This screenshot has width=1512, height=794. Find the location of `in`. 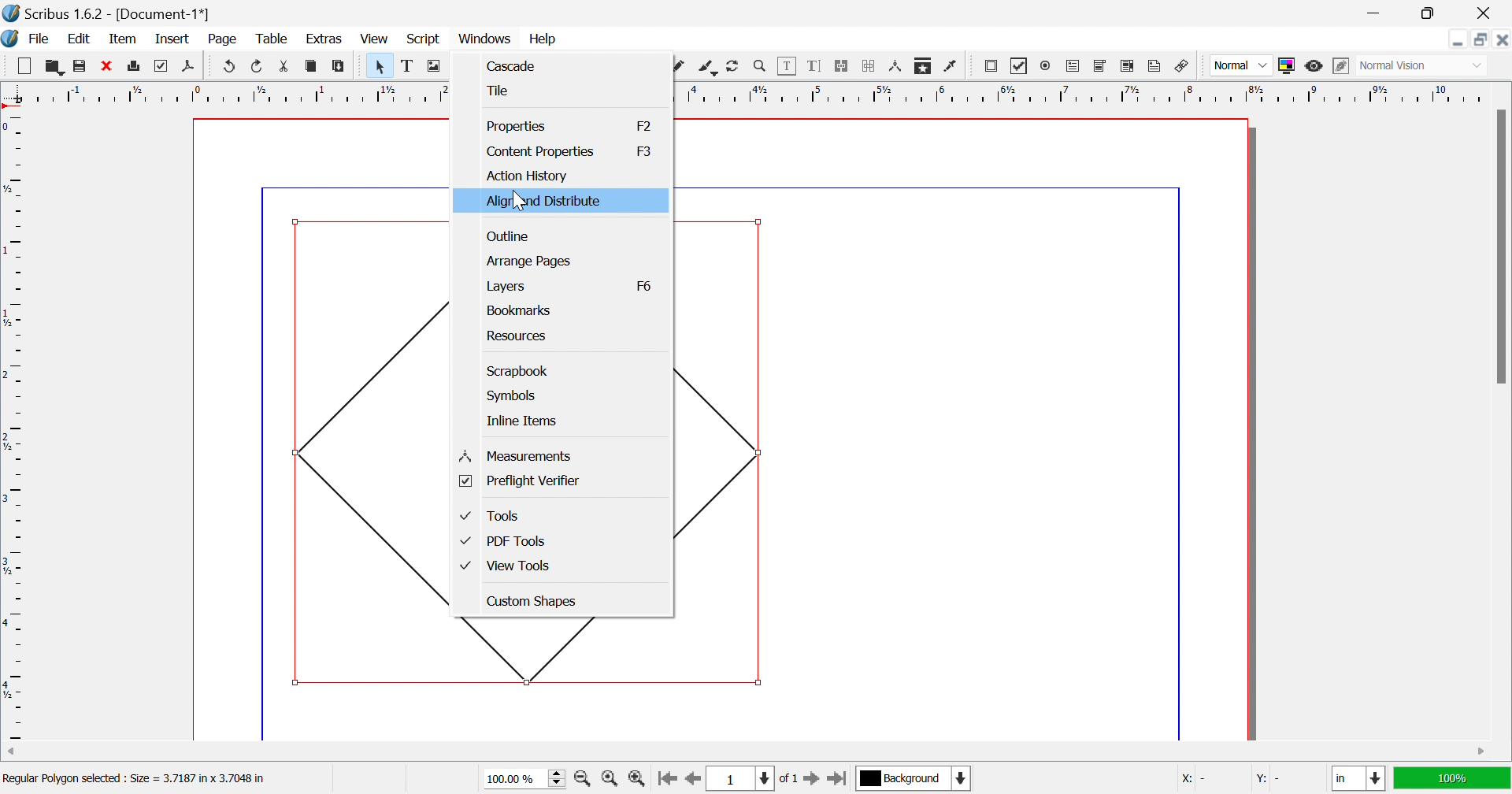

in is located at coordinates (1360, 780).